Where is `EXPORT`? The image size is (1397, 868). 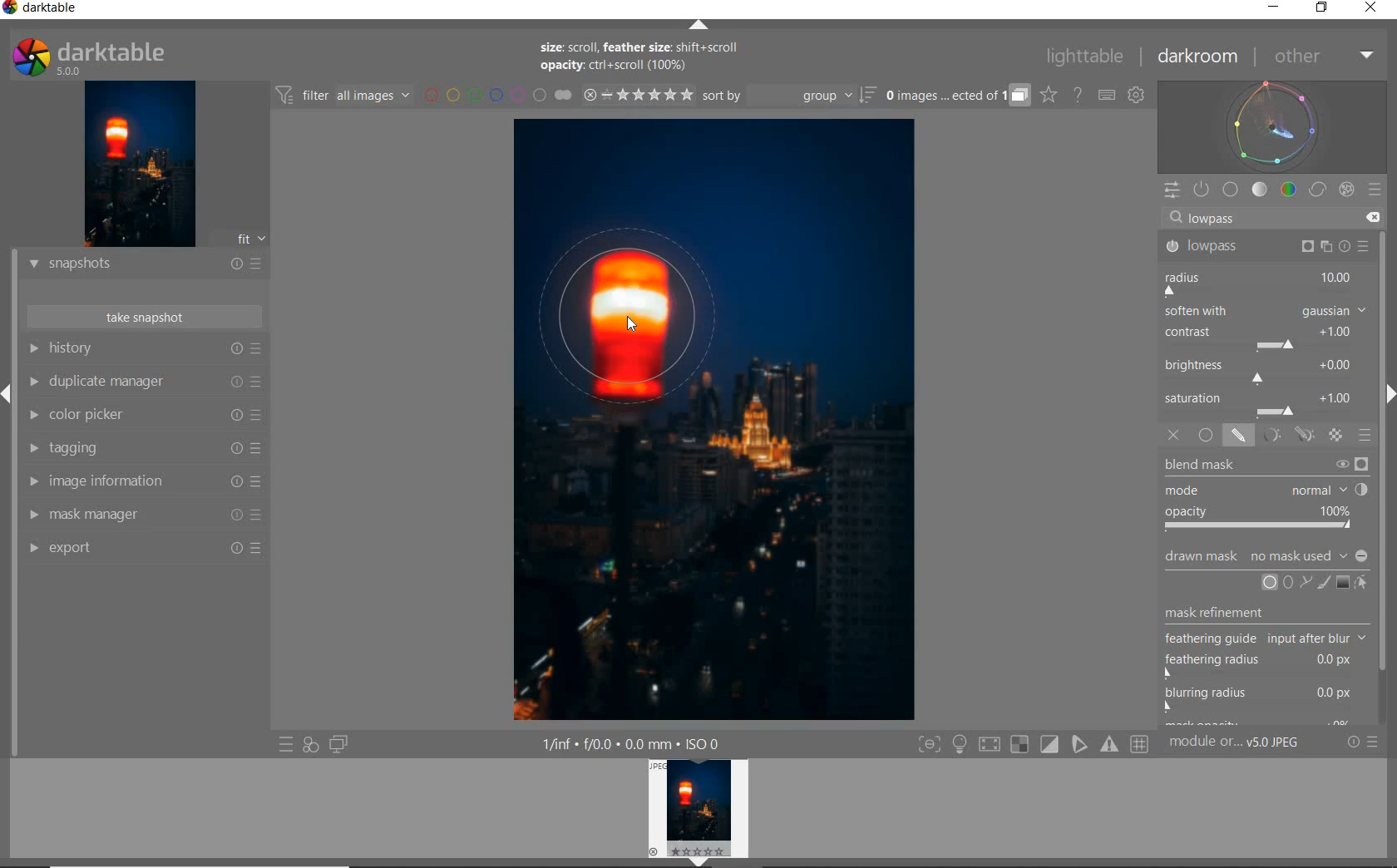 EXPORT is located at coordinates (146, 548).